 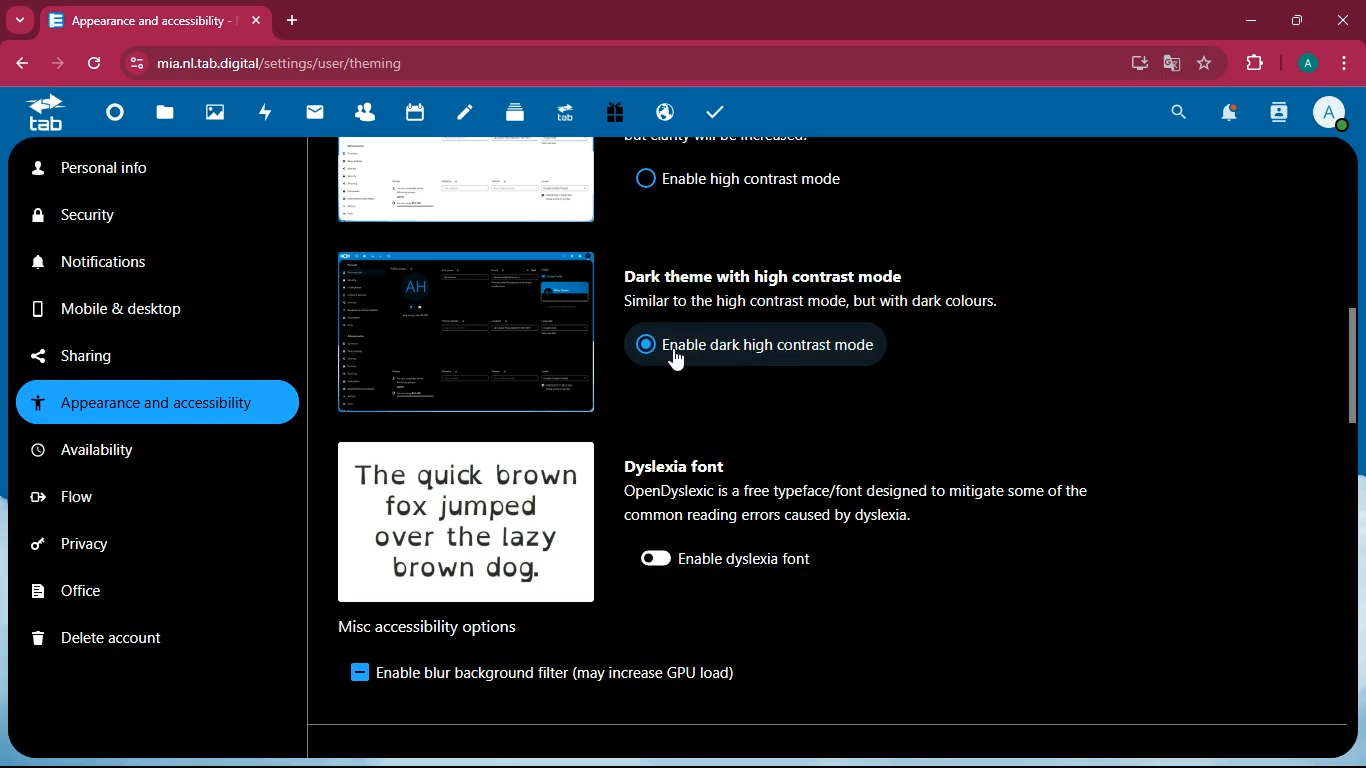 I want to click on sharing, so click(x=97, y=354).